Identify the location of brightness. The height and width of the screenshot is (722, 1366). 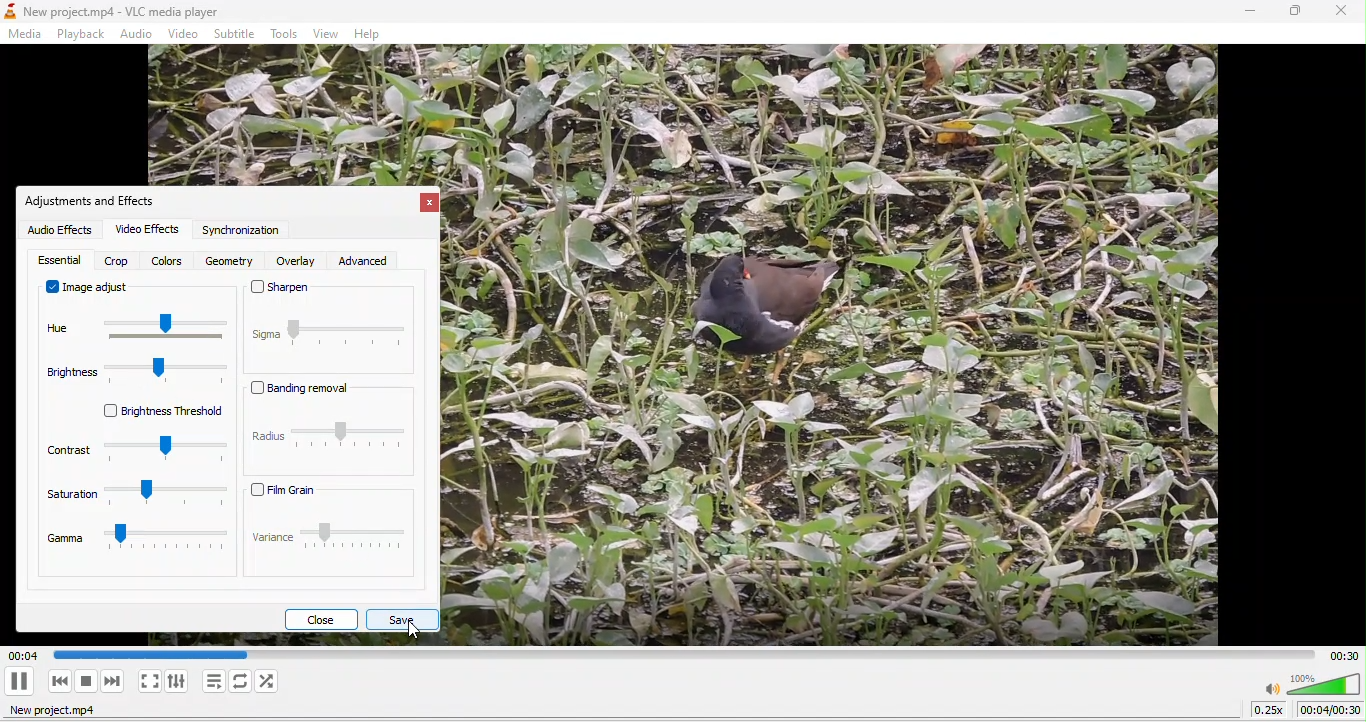
(142, 375).